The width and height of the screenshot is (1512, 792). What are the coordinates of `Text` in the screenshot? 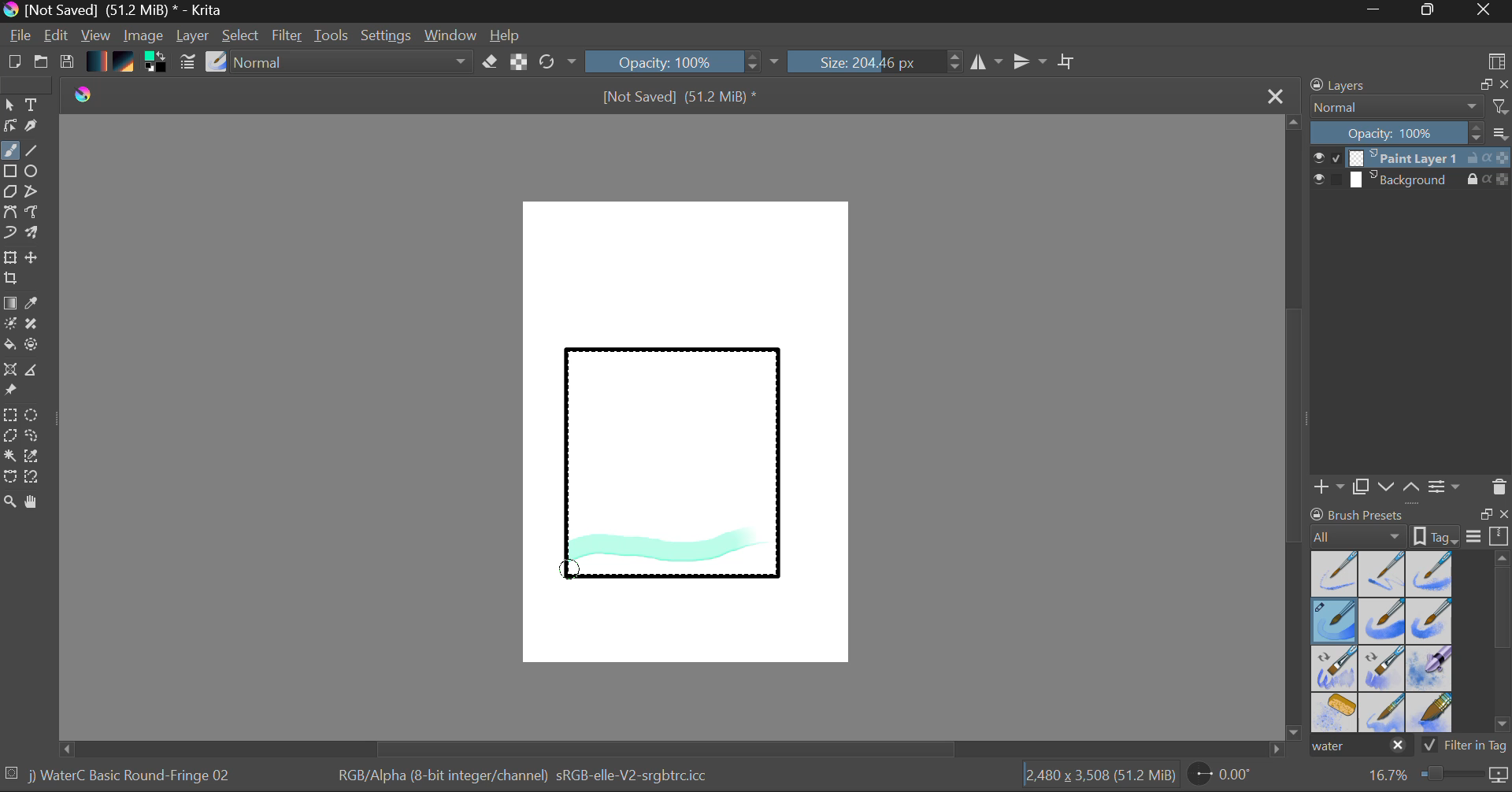 It's located at (32, 103).